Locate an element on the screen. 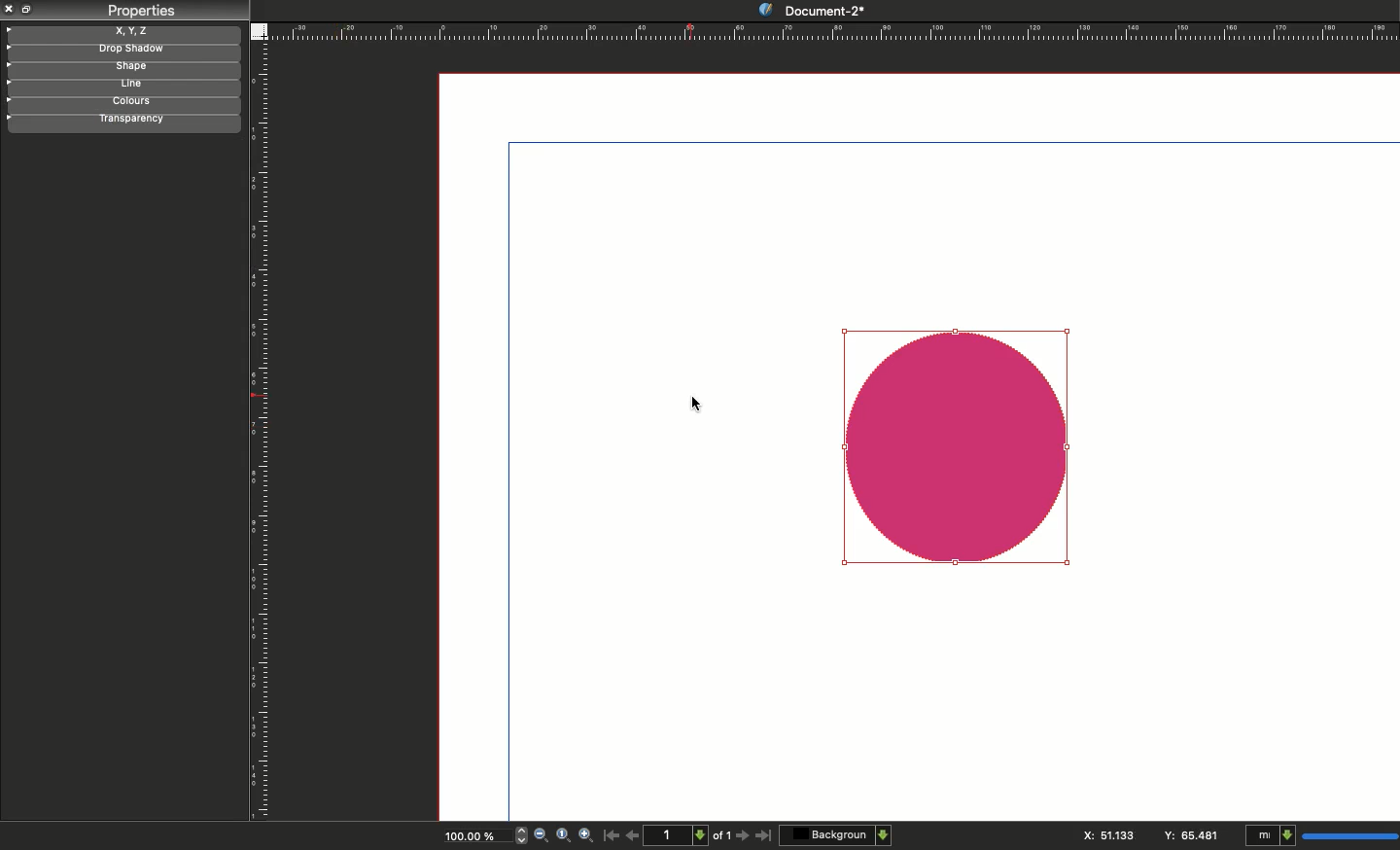 Image resolution: width=1400 pixels, height=850 pixels. Last page is located at coordinates (764, 836).